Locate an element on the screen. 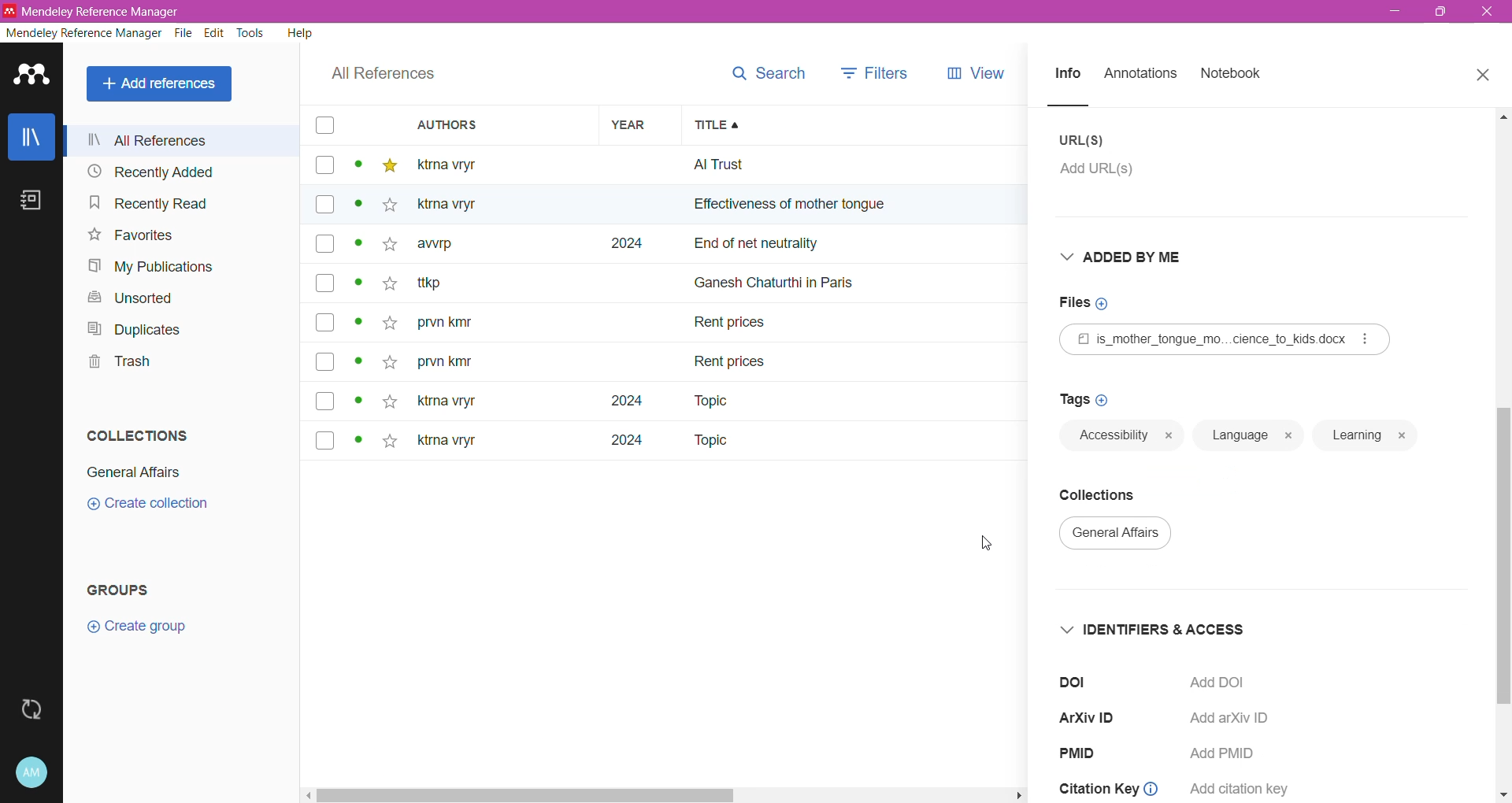 The width and height of the screenshot is (1512, 803). Collections is located at coordinates (1114, 499).